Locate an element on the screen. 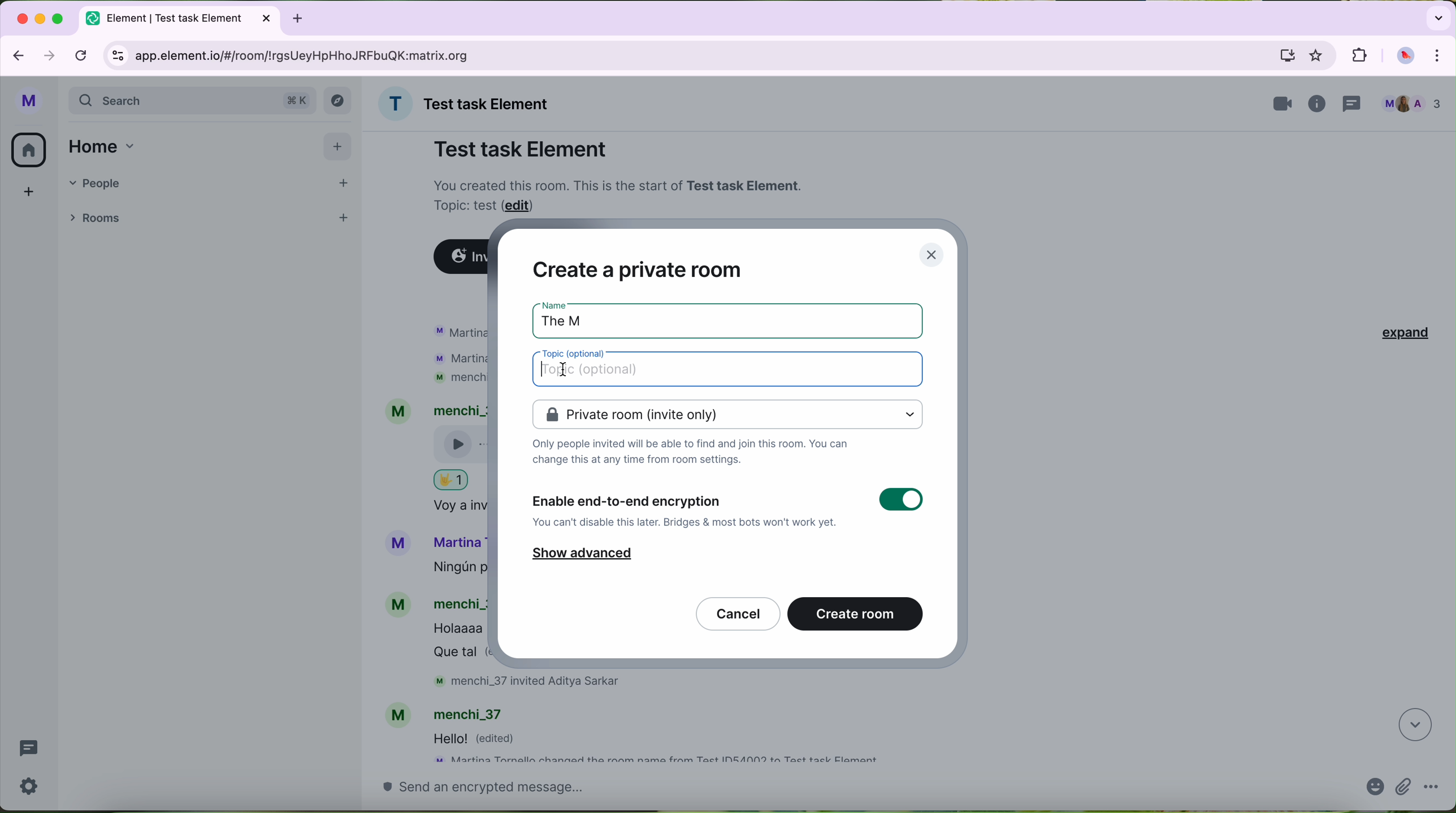 This screenshot has height=813, width=1456. new tabb is located at coordinates (302, 18).